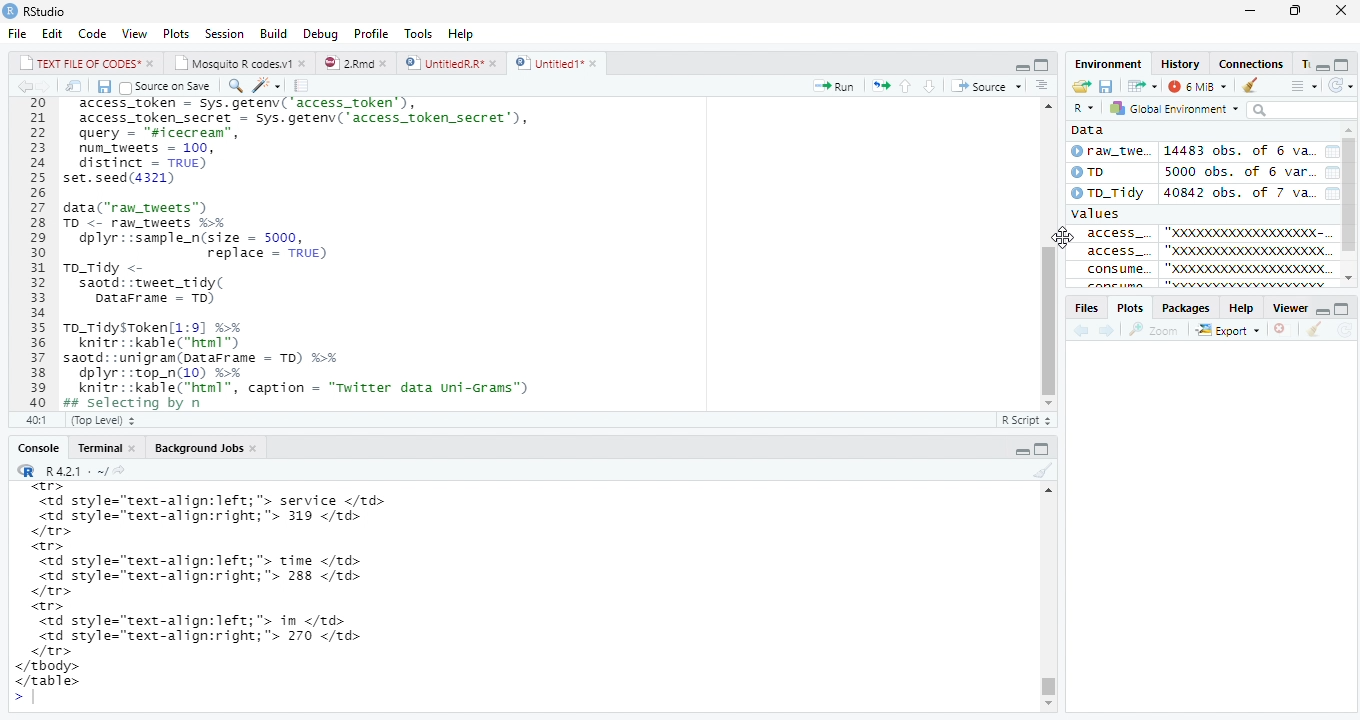  I want to click on Environment, so click(1110, 63).